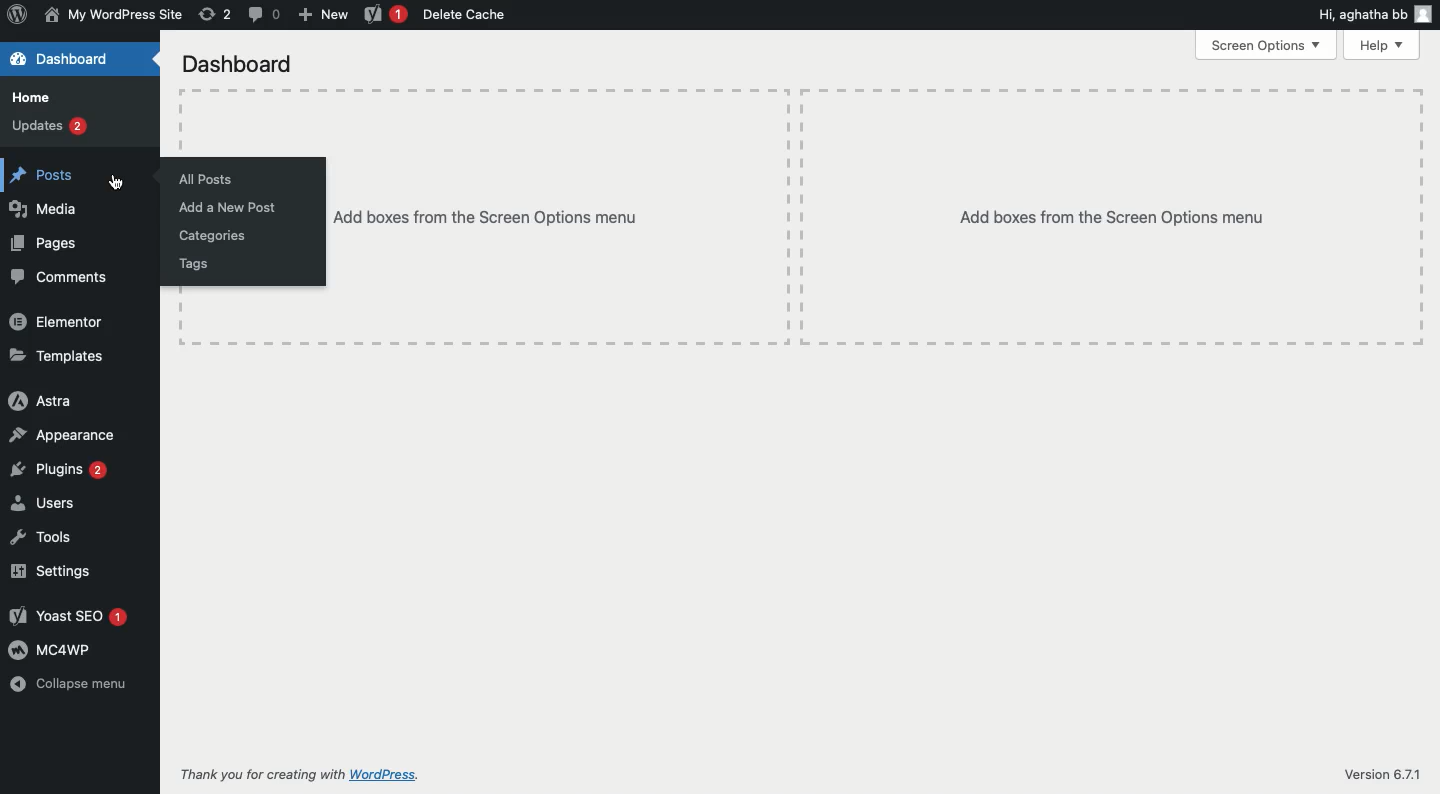 The width and height of the screenshot is (1440, 794). What do you see at coordinates (44, 500) in the screenshot?
I see `Users` at bounding box center [44, 500].